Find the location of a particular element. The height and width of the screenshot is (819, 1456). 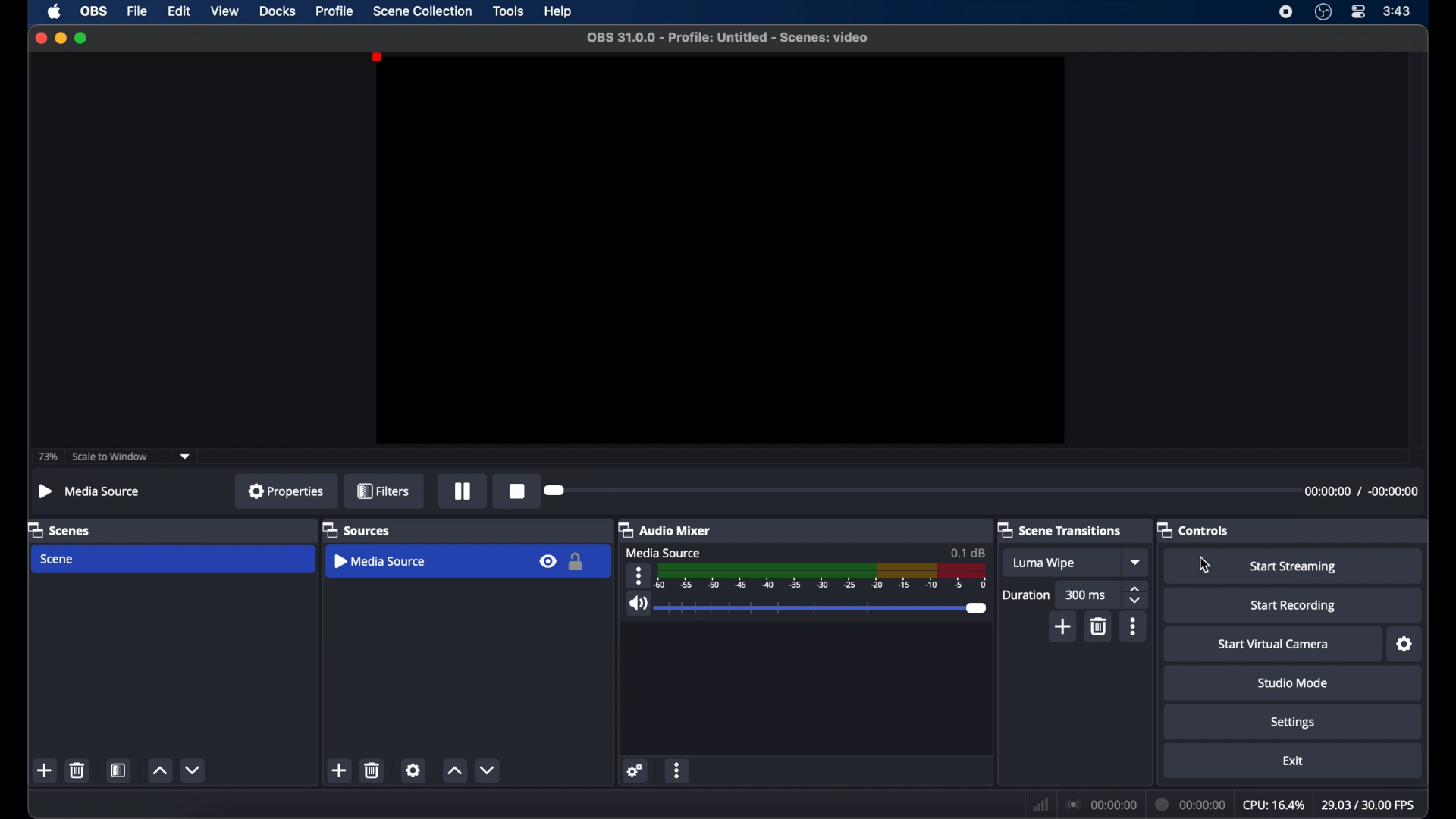

delete is located at coordinates (1100, 627).